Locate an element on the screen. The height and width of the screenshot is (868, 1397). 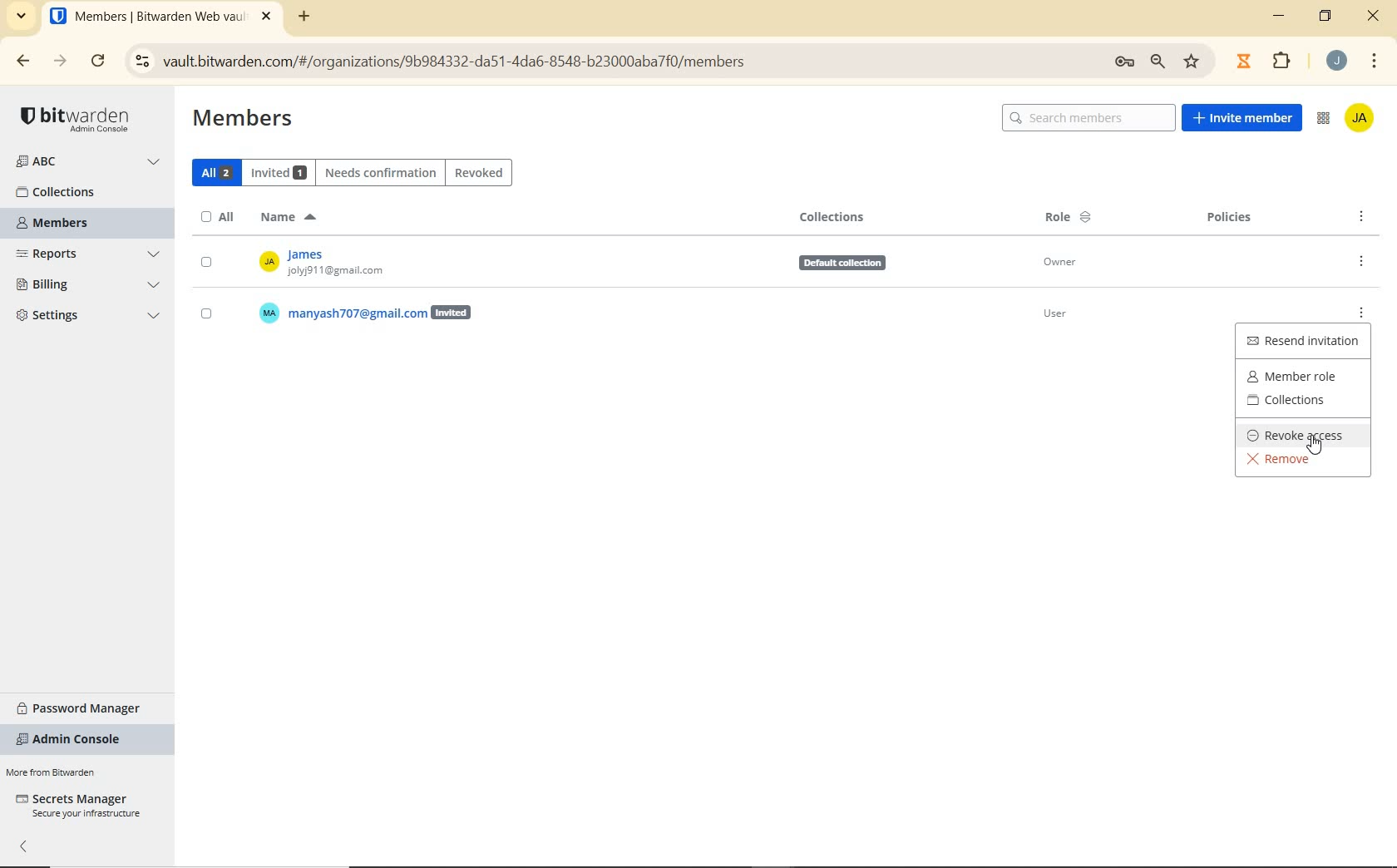
INVITED is located at coordinates (281, 171).